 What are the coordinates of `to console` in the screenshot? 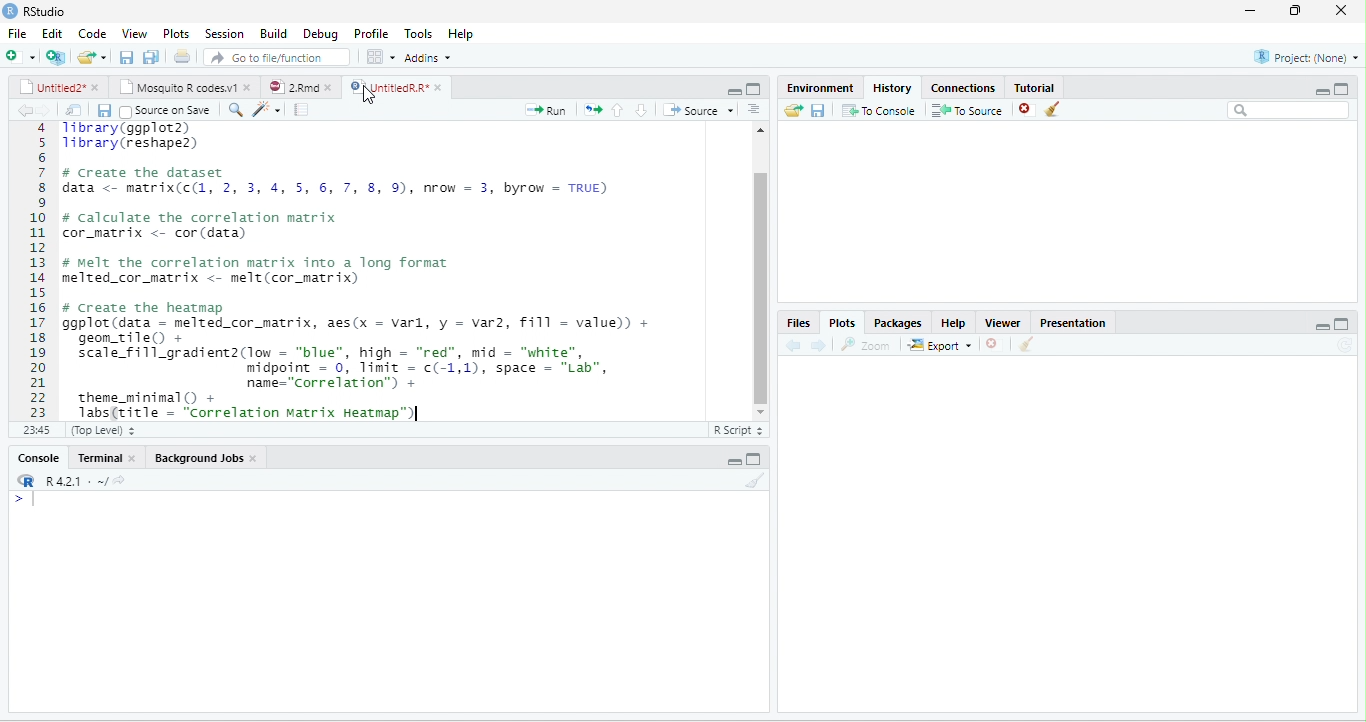 It's located at (880, 112).